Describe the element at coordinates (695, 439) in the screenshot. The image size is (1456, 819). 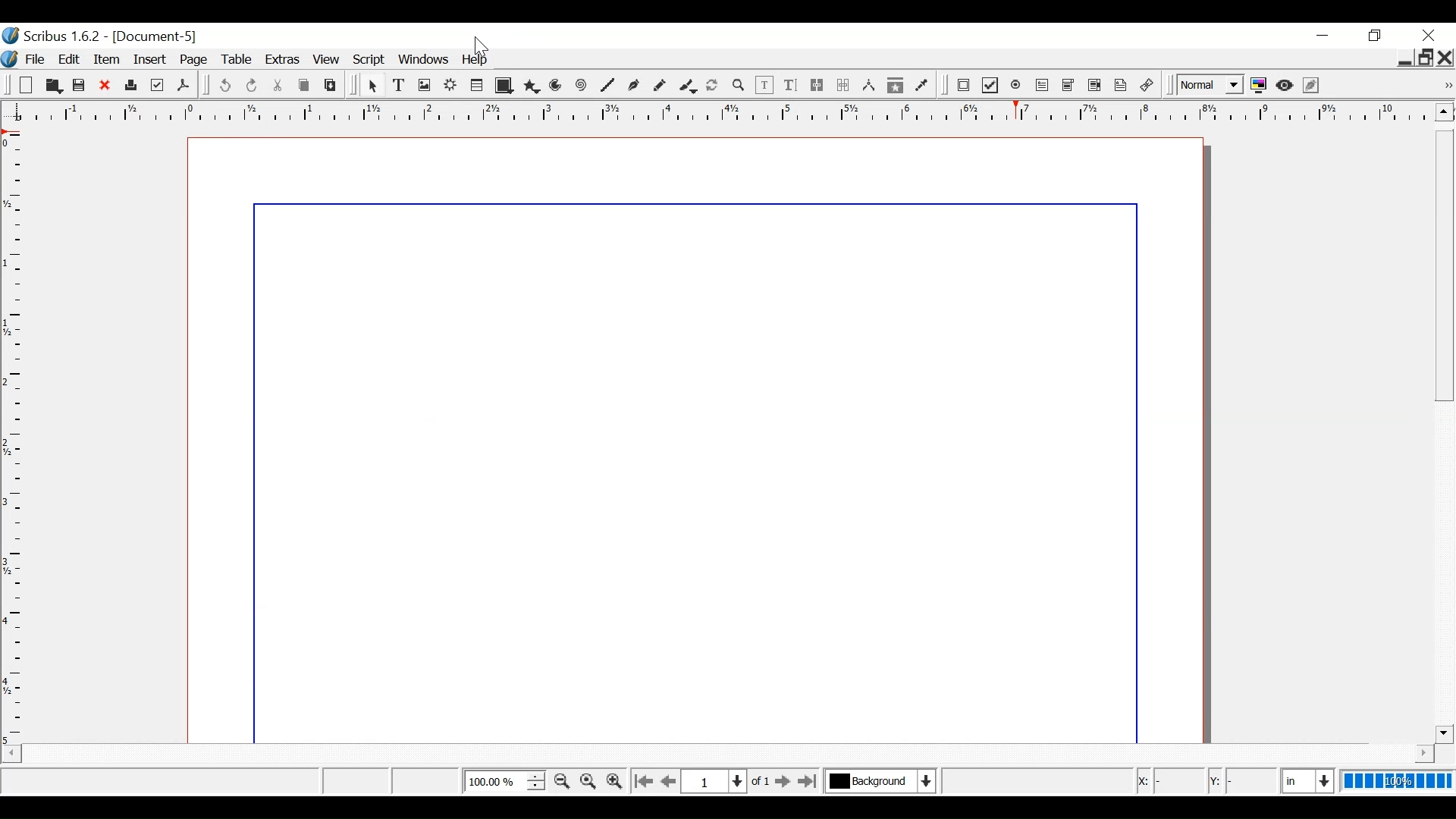
I see `Document` at that location.